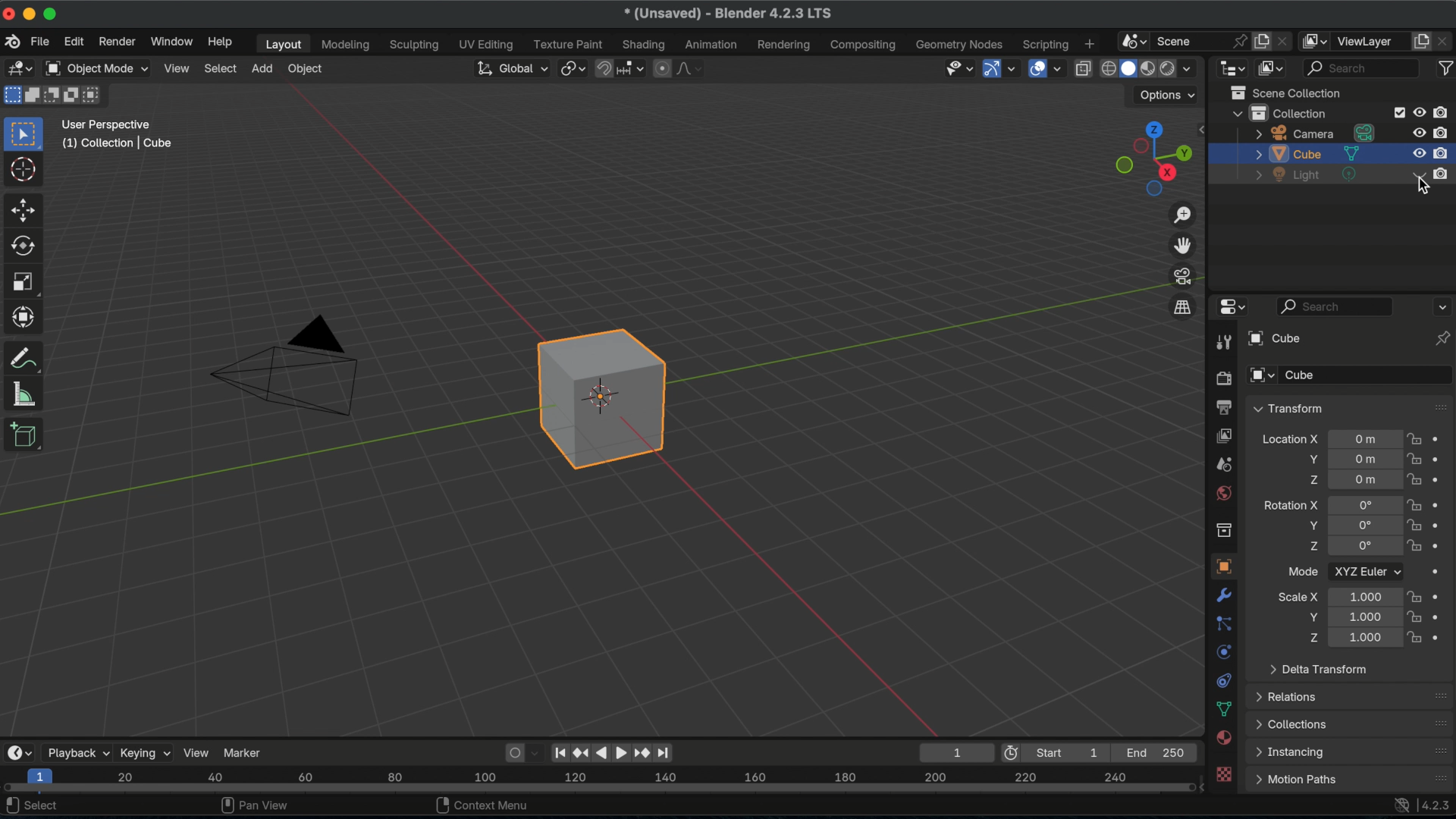 This screenshot has height=819, width=1456. I want to click on disabled light source toggle, so click(1416, 172).